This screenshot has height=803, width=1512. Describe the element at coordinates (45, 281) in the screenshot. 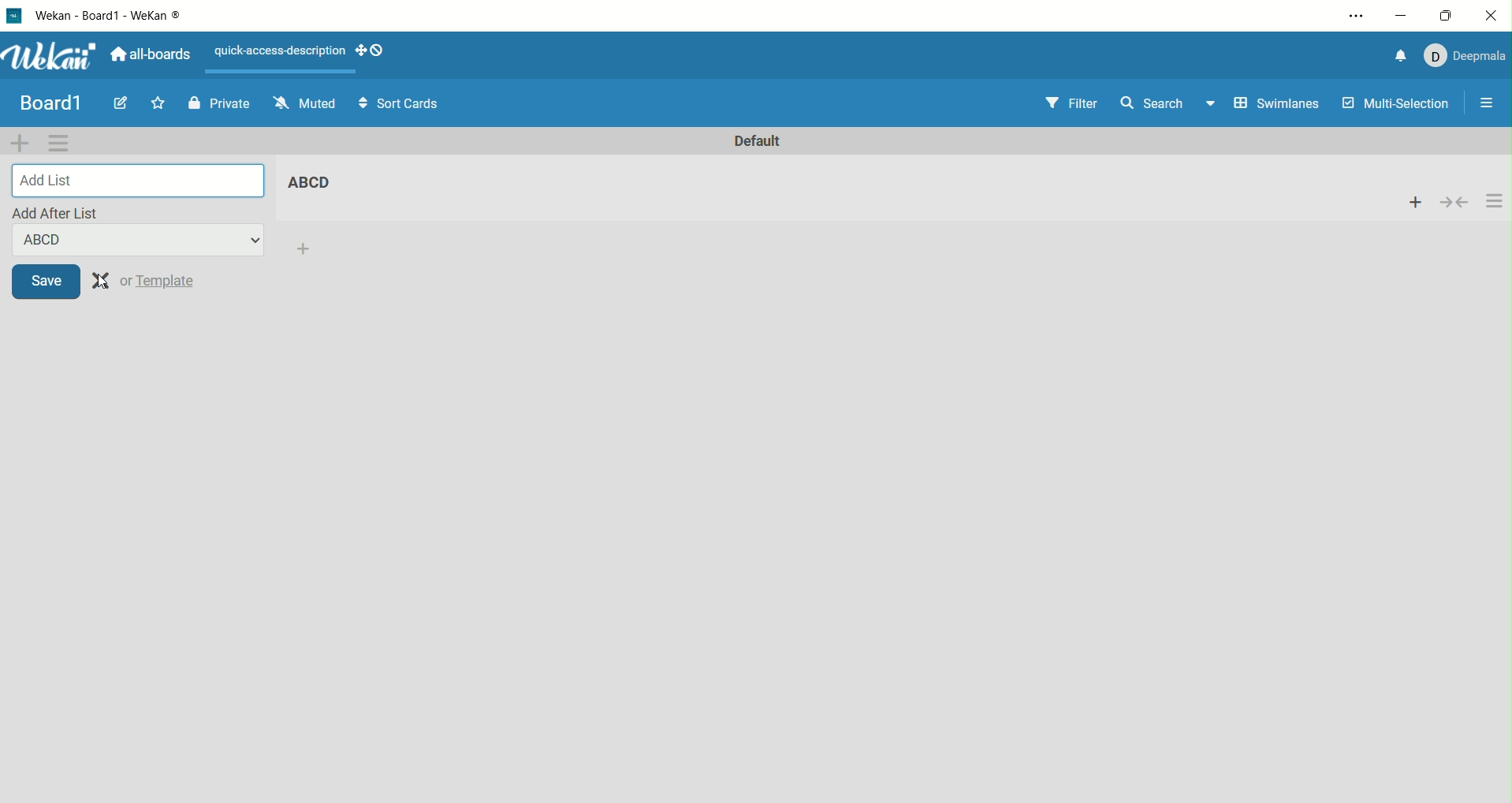

I see `save` at that location.